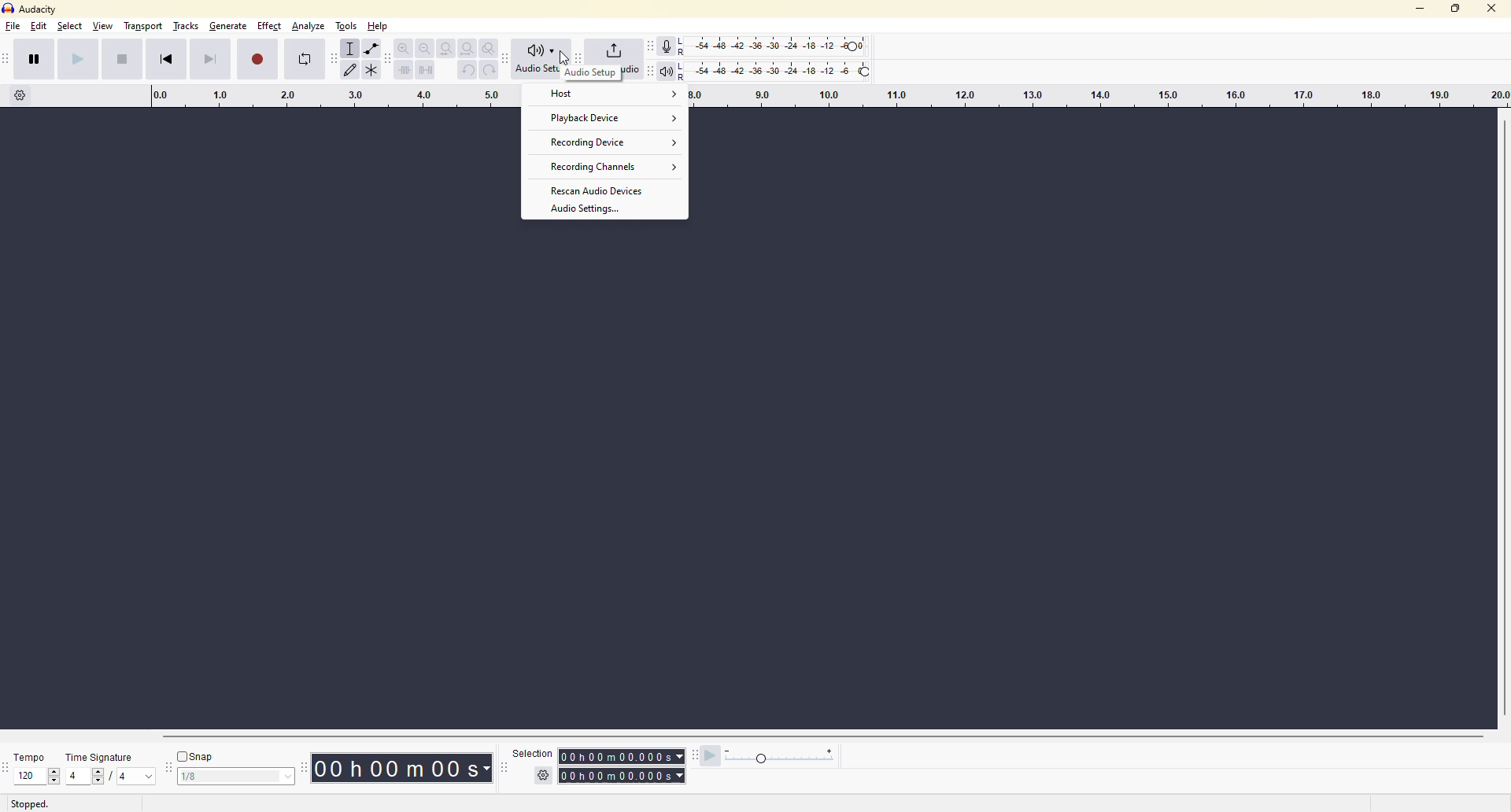 The height and width of the screenshot is (812, 1511). Describe the element at coordinates (424, 70) in the screenshot. I see `silence audio selection` at that location.